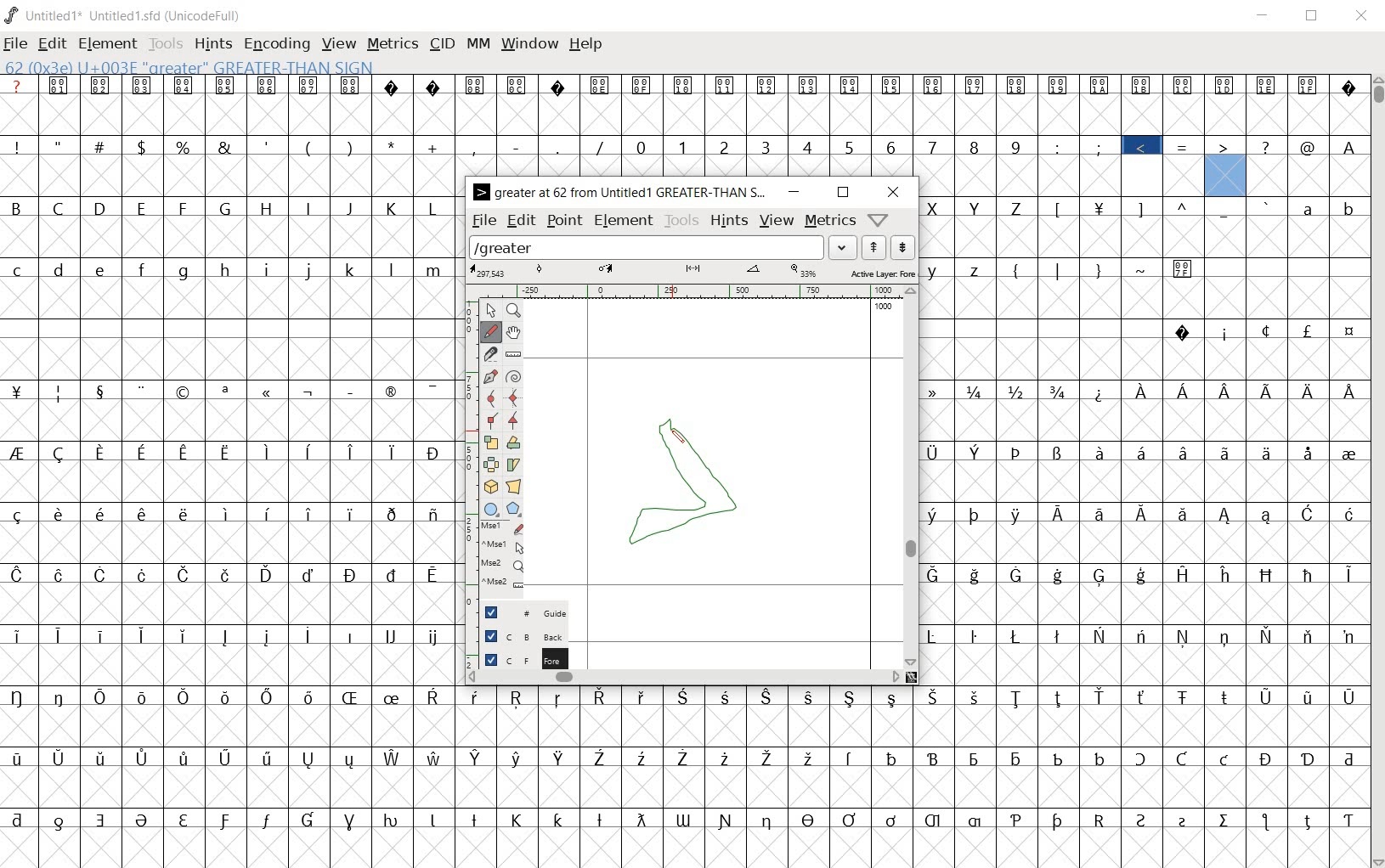  I want to click on ruler, so click(687, 290).